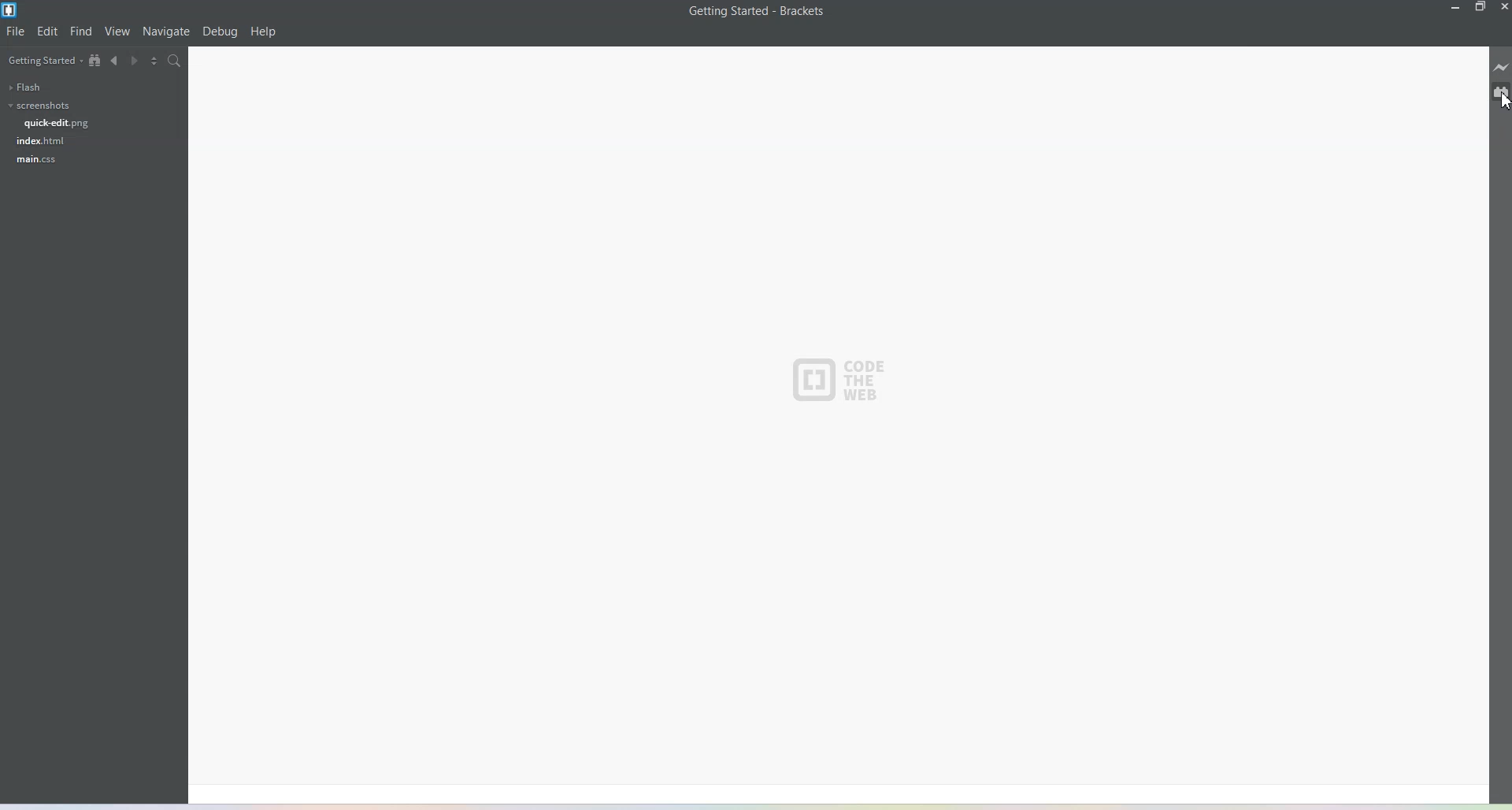 The height and width of the screenshot is (810, 1512). What do you see at coordinates (166, 32) in the screenshot?
I see `Navigate` at bounding box center [166, 32].